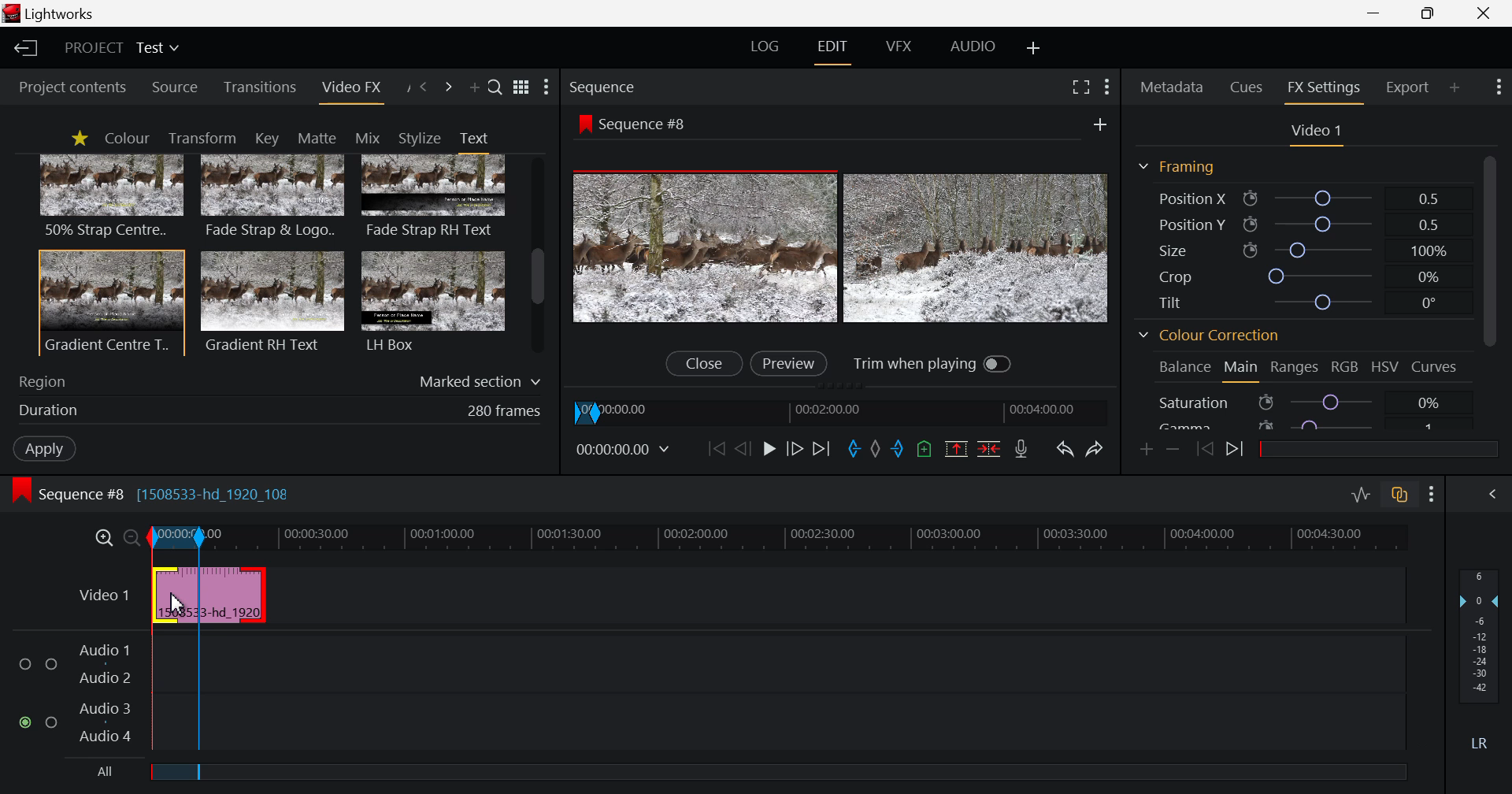 This screenshot has height=794, width=1512. Describe the element at coordinates (702, 364) in the screenshot. I see `Close` at that location.